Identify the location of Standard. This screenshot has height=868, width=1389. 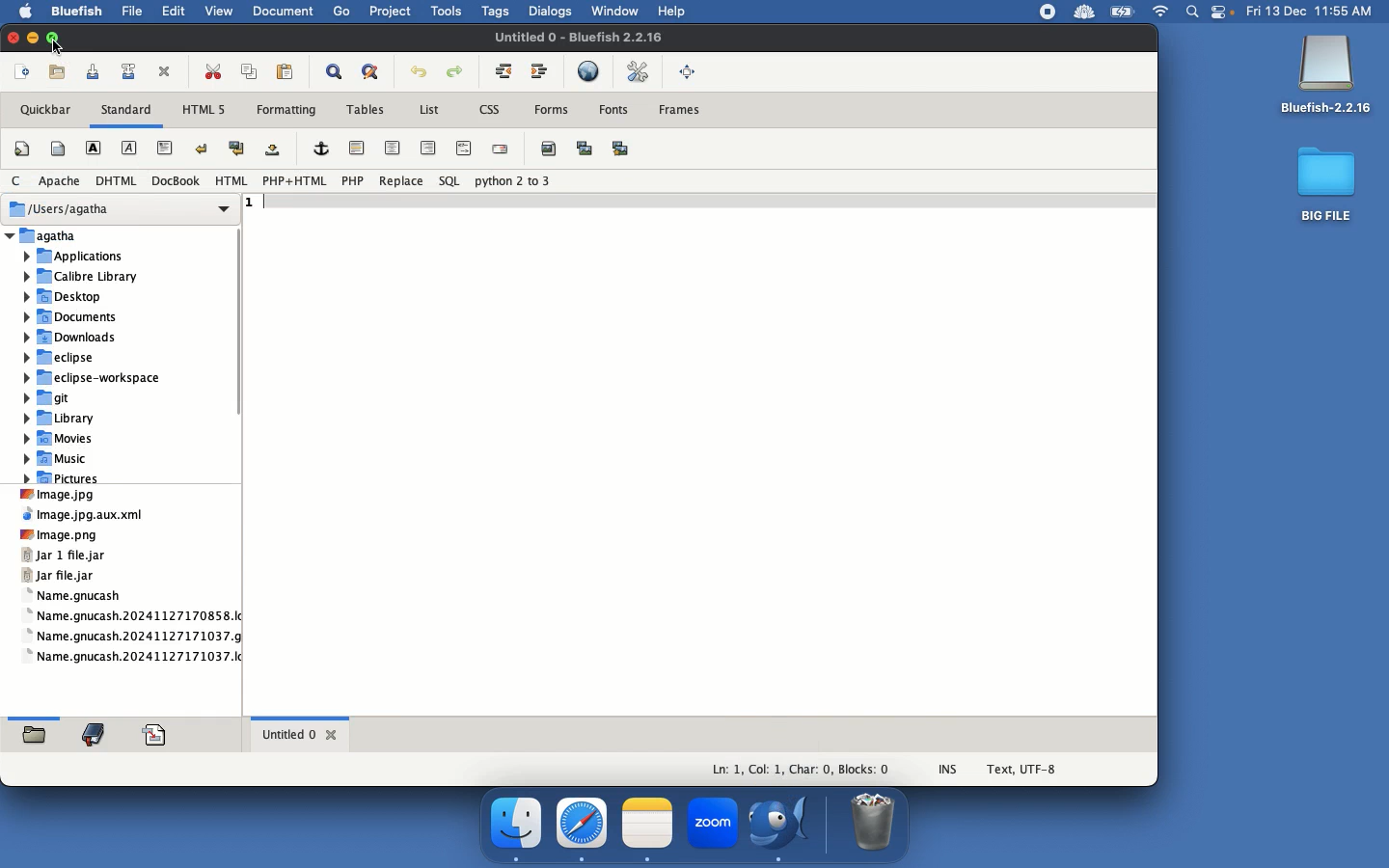
(126, 113).